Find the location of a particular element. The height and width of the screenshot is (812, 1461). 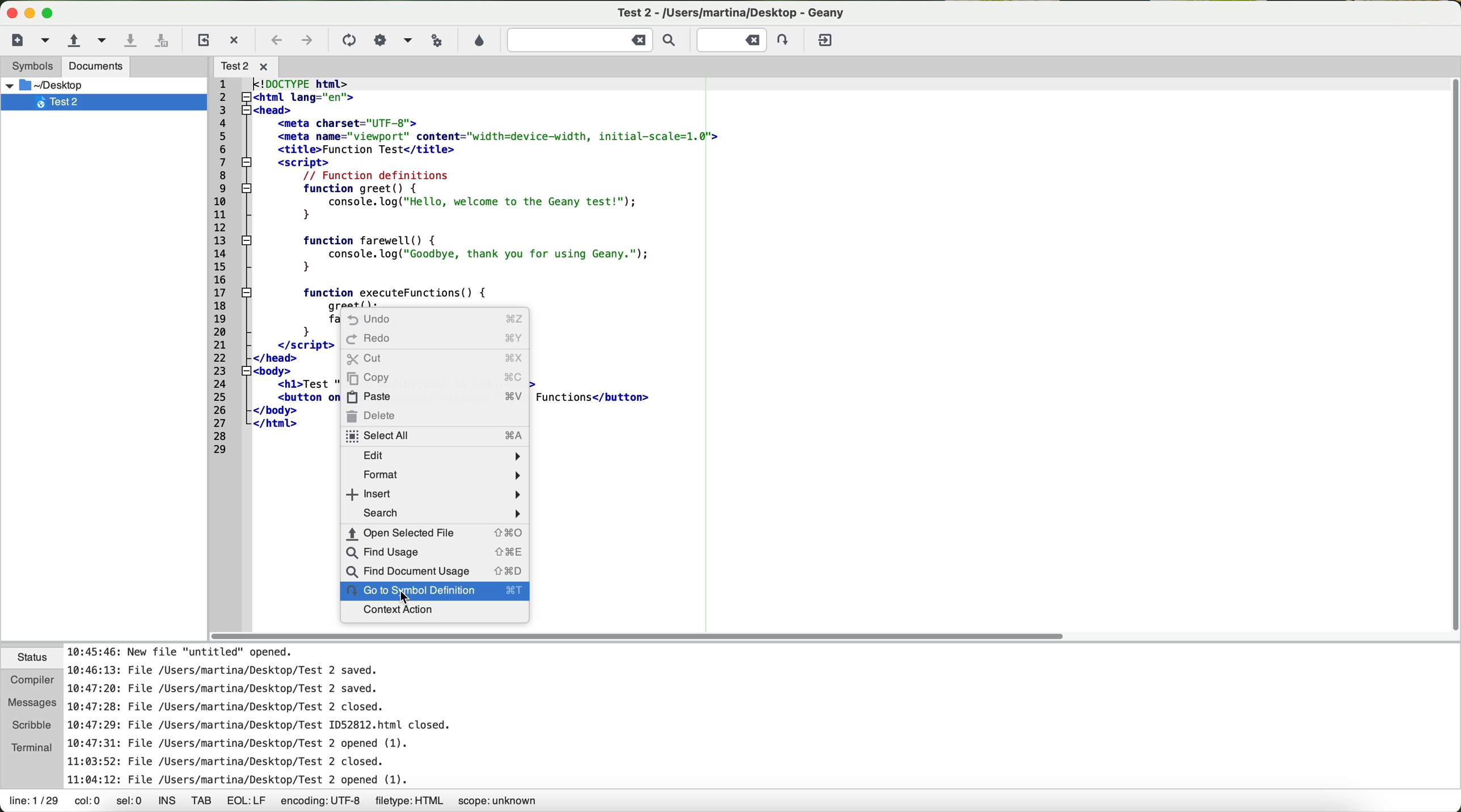

 is located at coordinates (251, 65).